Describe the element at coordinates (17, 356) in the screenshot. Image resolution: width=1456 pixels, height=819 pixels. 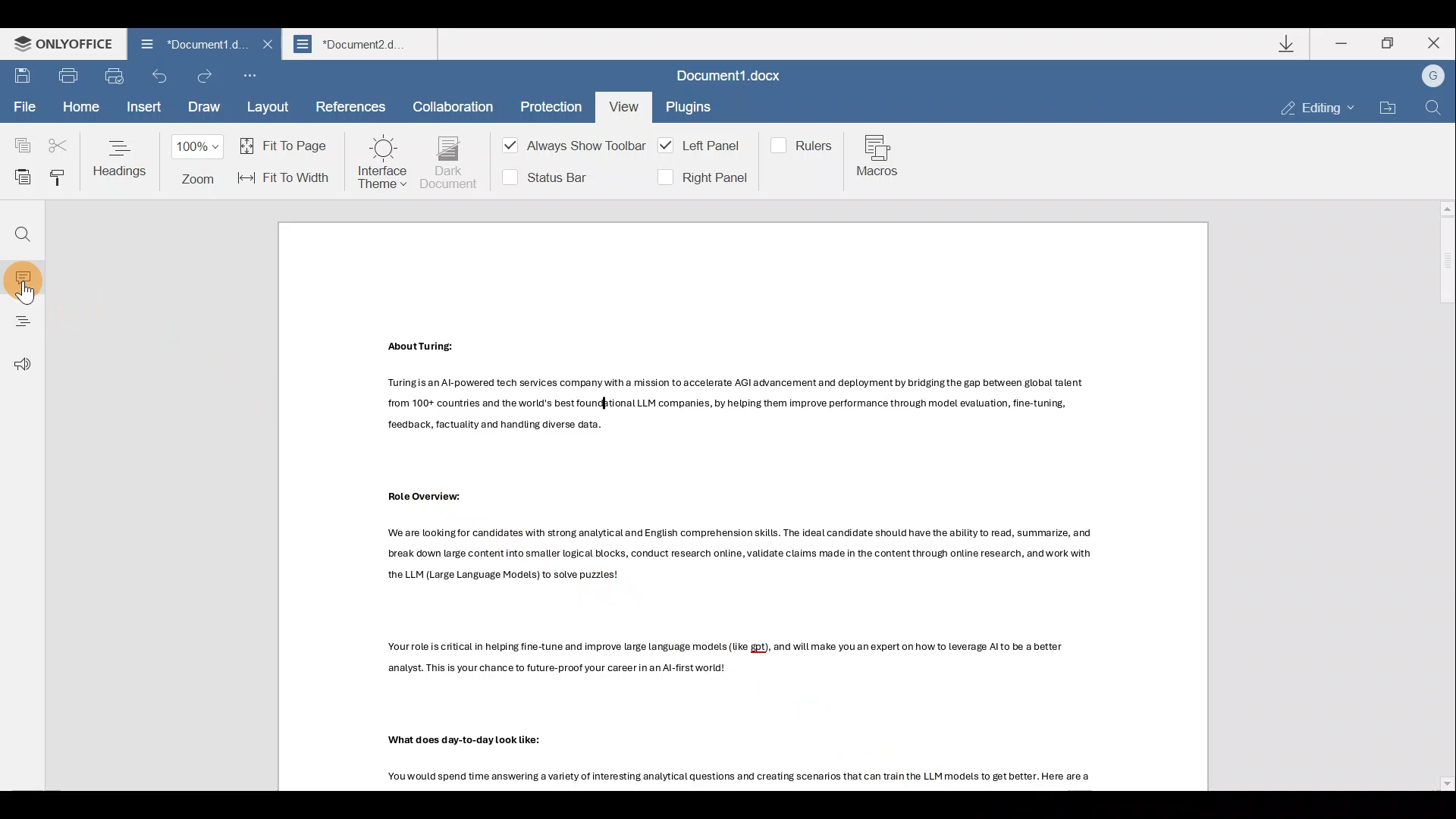
I see `Feedback & support` at that location.